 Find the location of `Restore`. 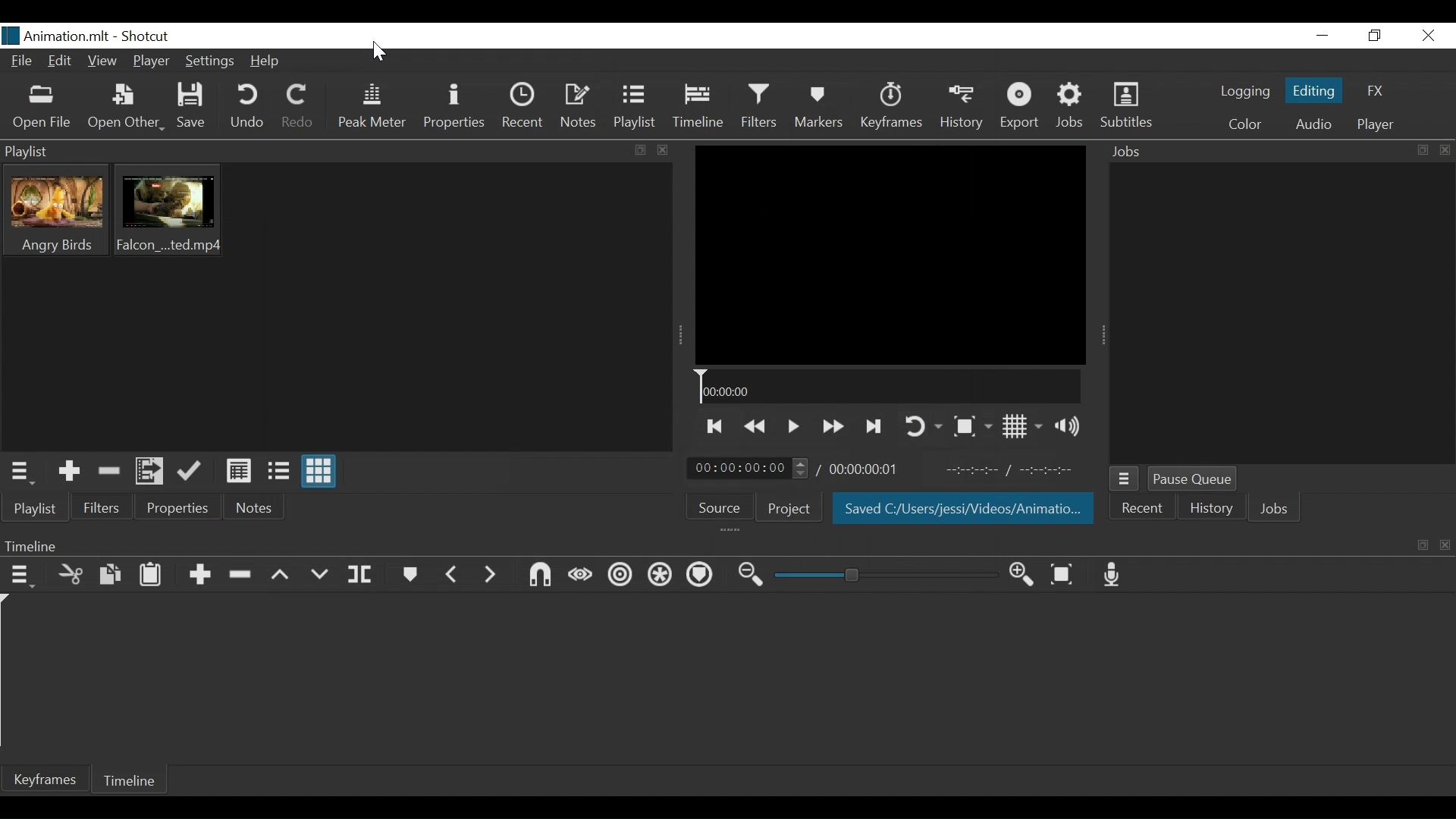

Restore is located at coordinates (1373, 36).